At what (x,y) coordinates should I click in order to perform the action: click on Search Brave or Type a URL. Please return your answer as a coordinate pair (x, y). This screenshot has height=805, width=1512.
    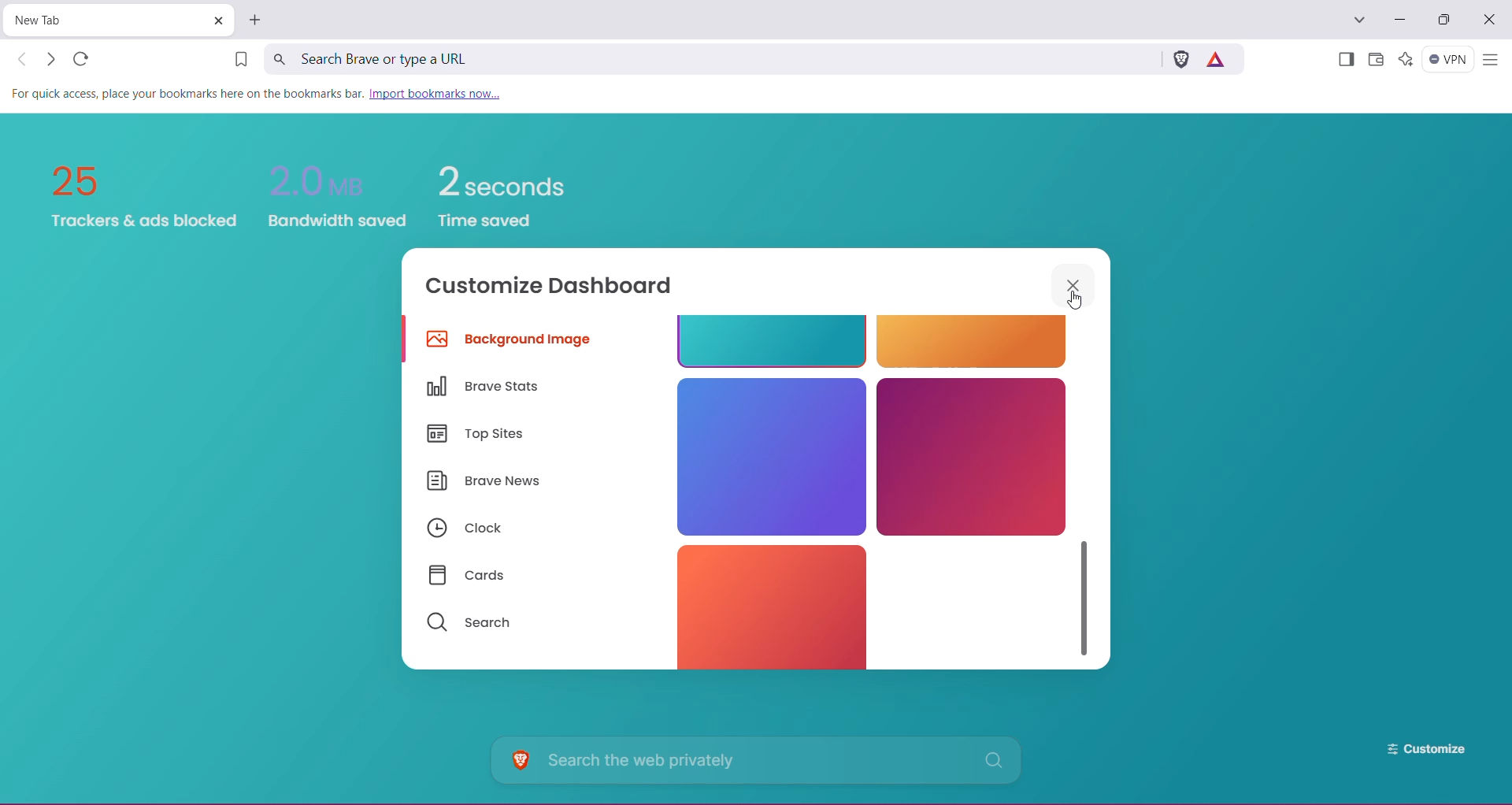
    Looking at the image, I should click on (710, 58).